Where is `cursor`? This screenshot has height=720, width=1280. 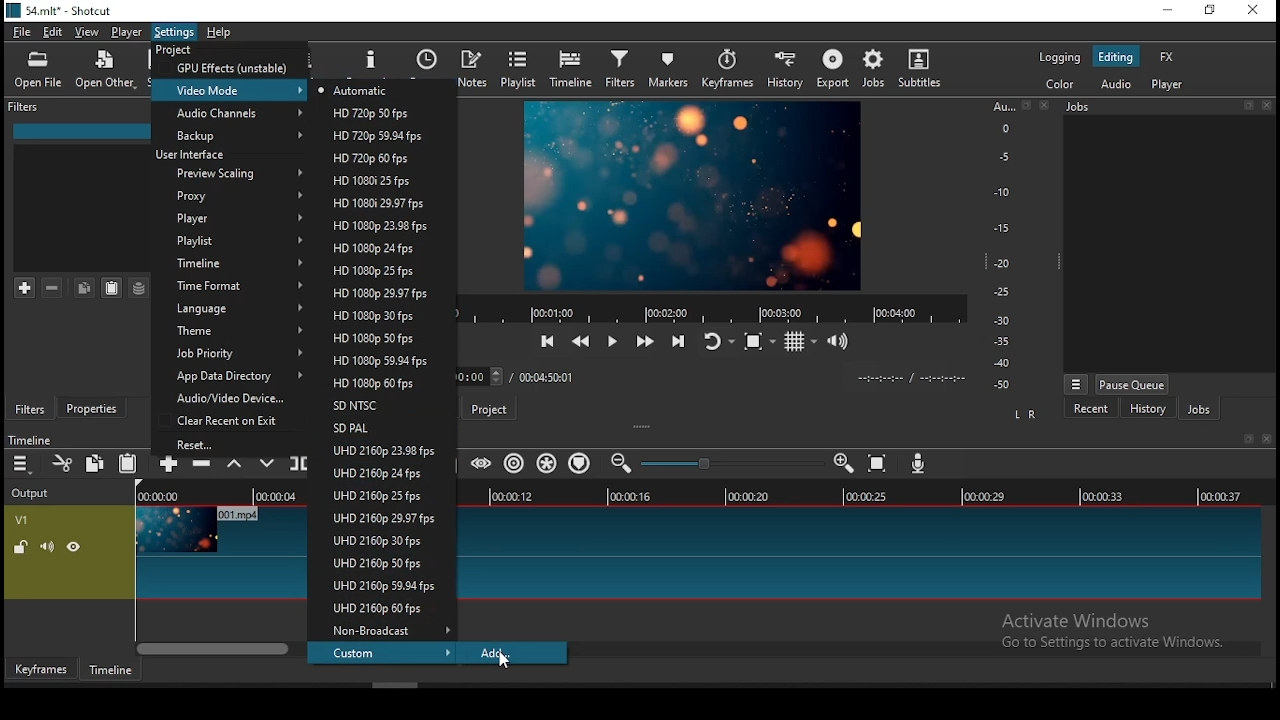
cursor is located at coordinates (507, 662).